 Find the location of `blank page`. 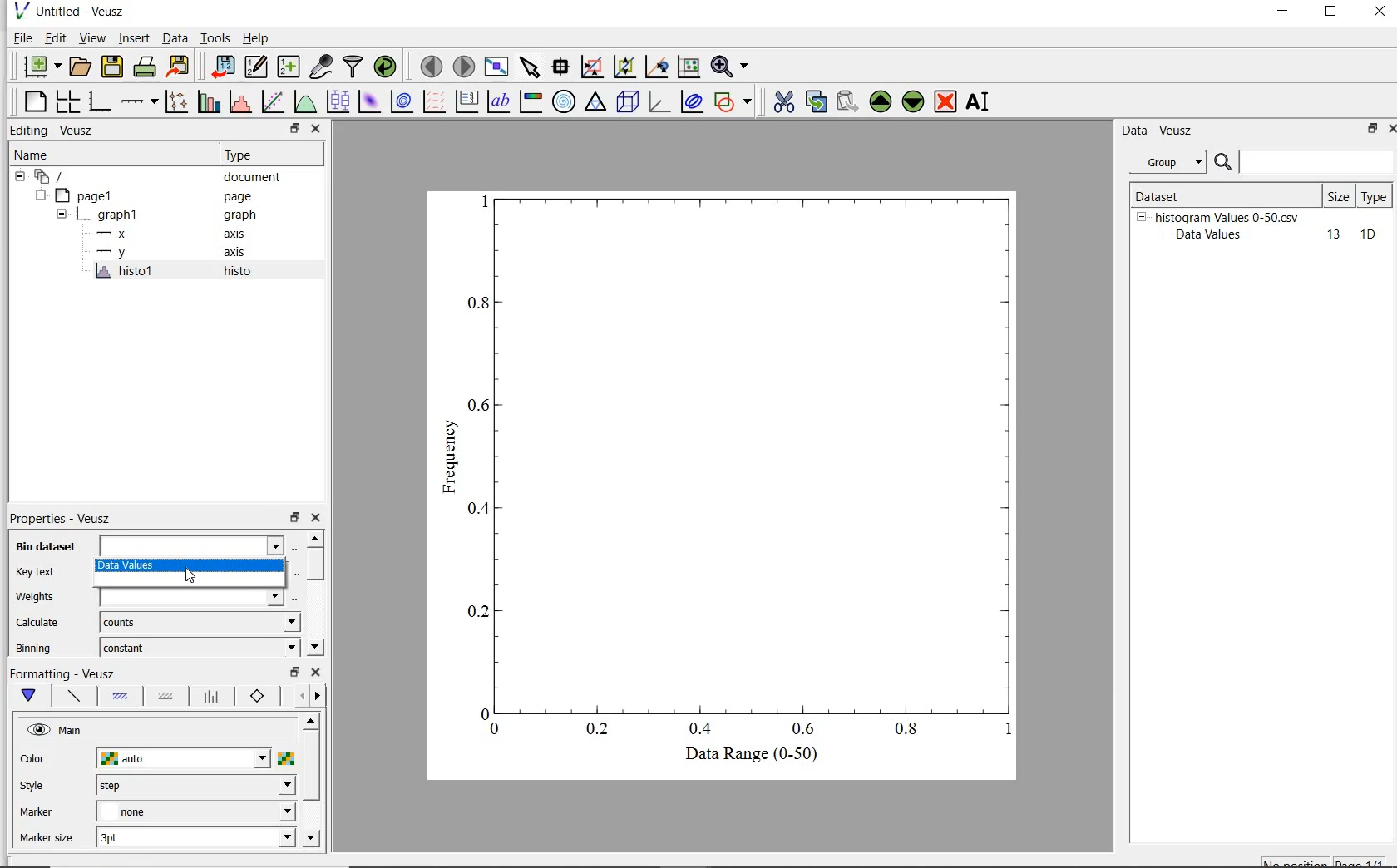

blank page is located at coordinates (36, 101).